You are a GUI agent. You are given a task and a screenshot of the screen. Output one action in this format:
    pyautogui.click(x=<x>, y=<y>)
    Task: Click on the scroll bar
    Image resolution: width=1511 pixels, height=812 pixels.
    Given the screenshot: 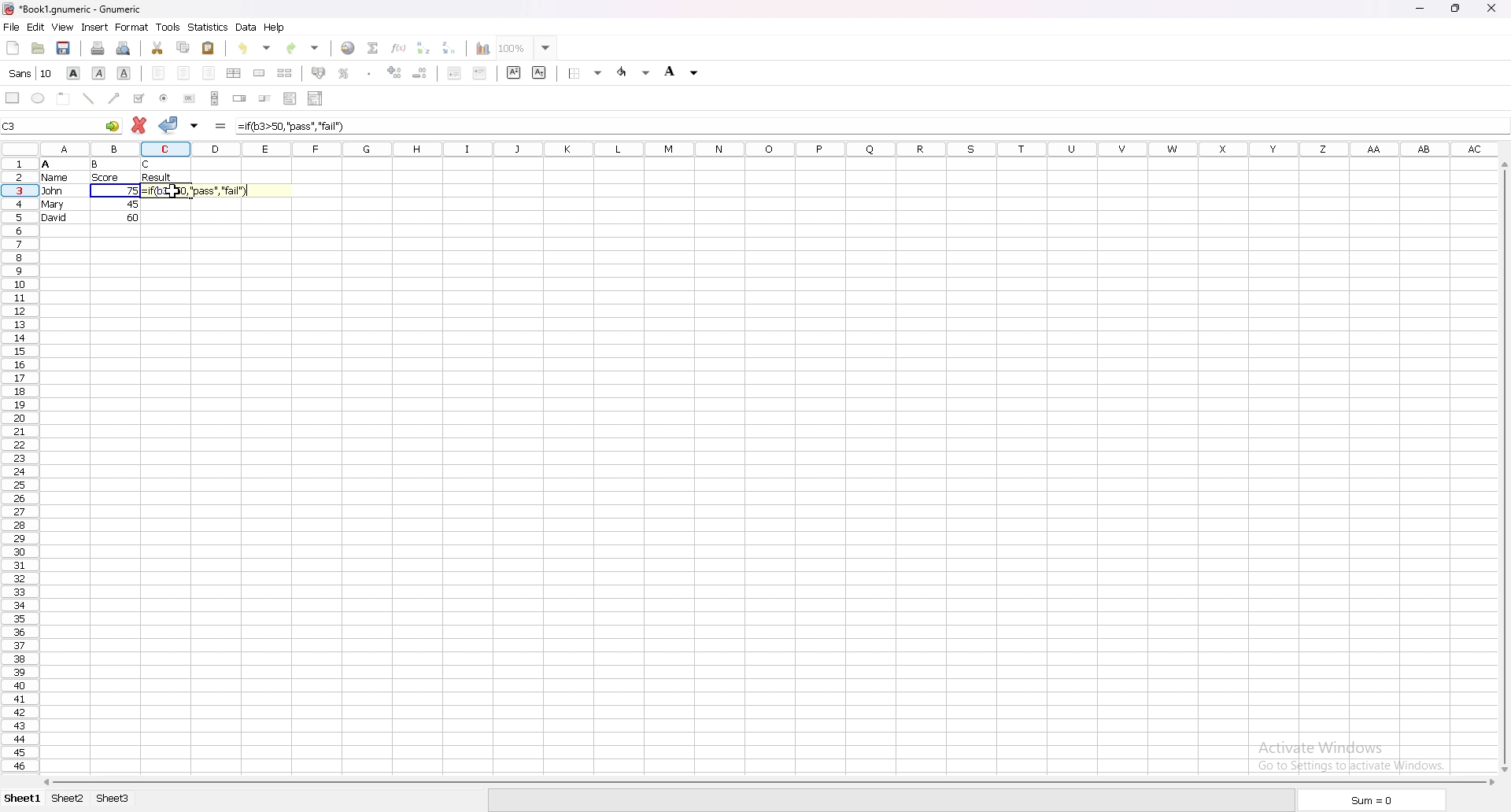 What is the action you would take?
    pyautogui.click(x=767, y=783)
    